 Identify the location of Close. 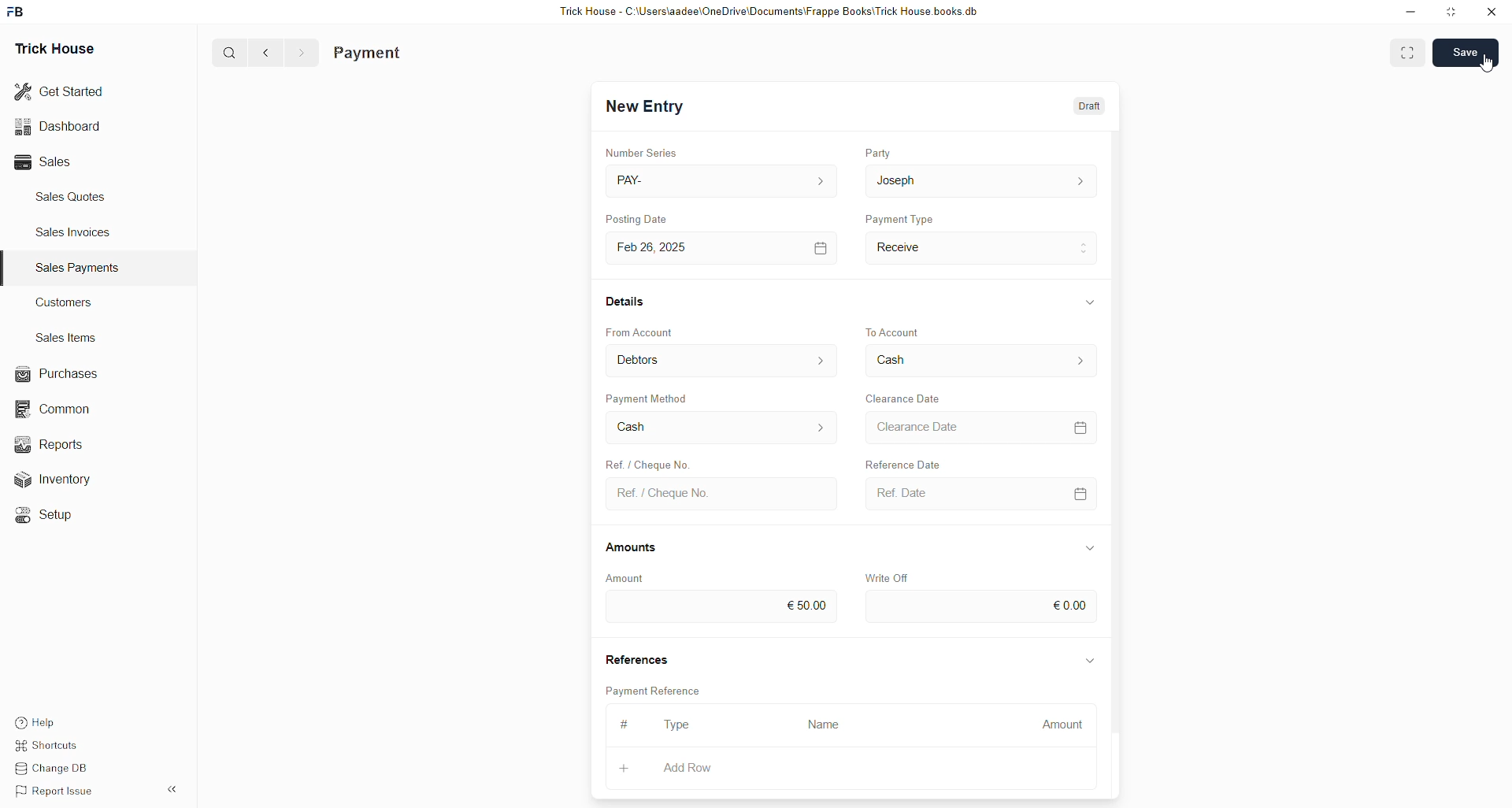
(1491, 13).